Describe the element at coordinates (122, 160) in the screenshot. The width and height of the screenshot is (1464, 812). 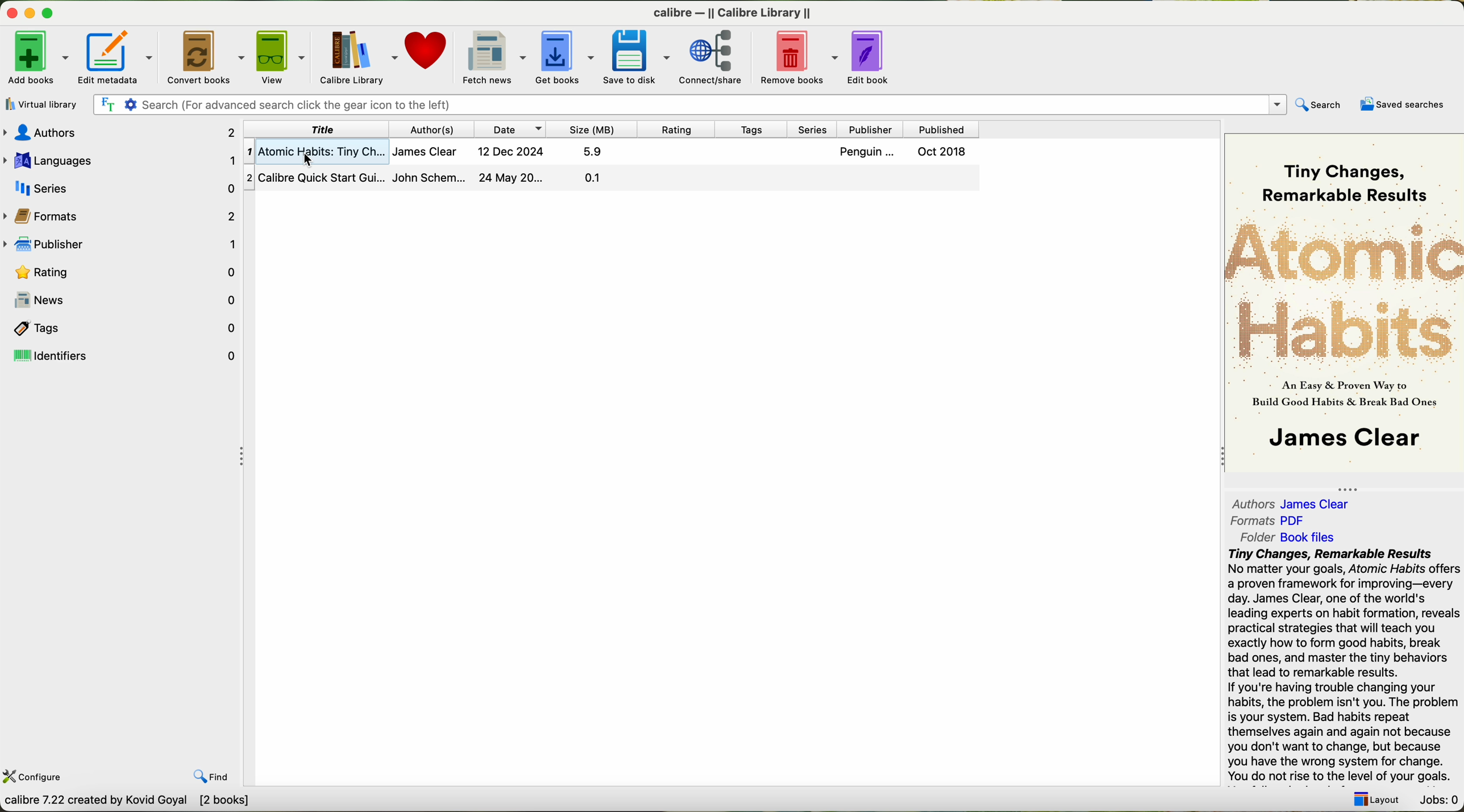
I see `languages` at that location.